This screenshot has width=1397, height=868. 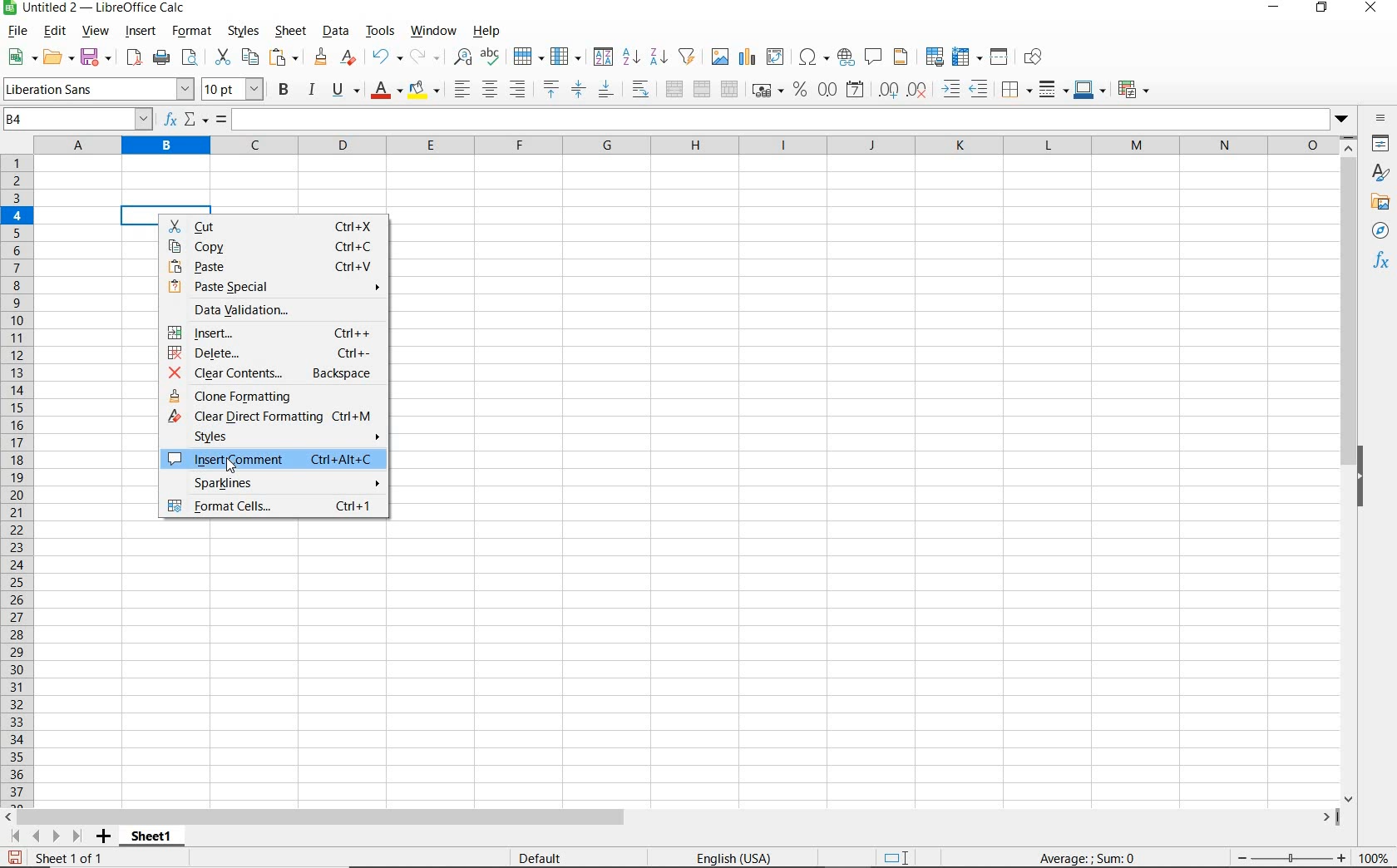 I want to click on column, so click(x=565, y=57).